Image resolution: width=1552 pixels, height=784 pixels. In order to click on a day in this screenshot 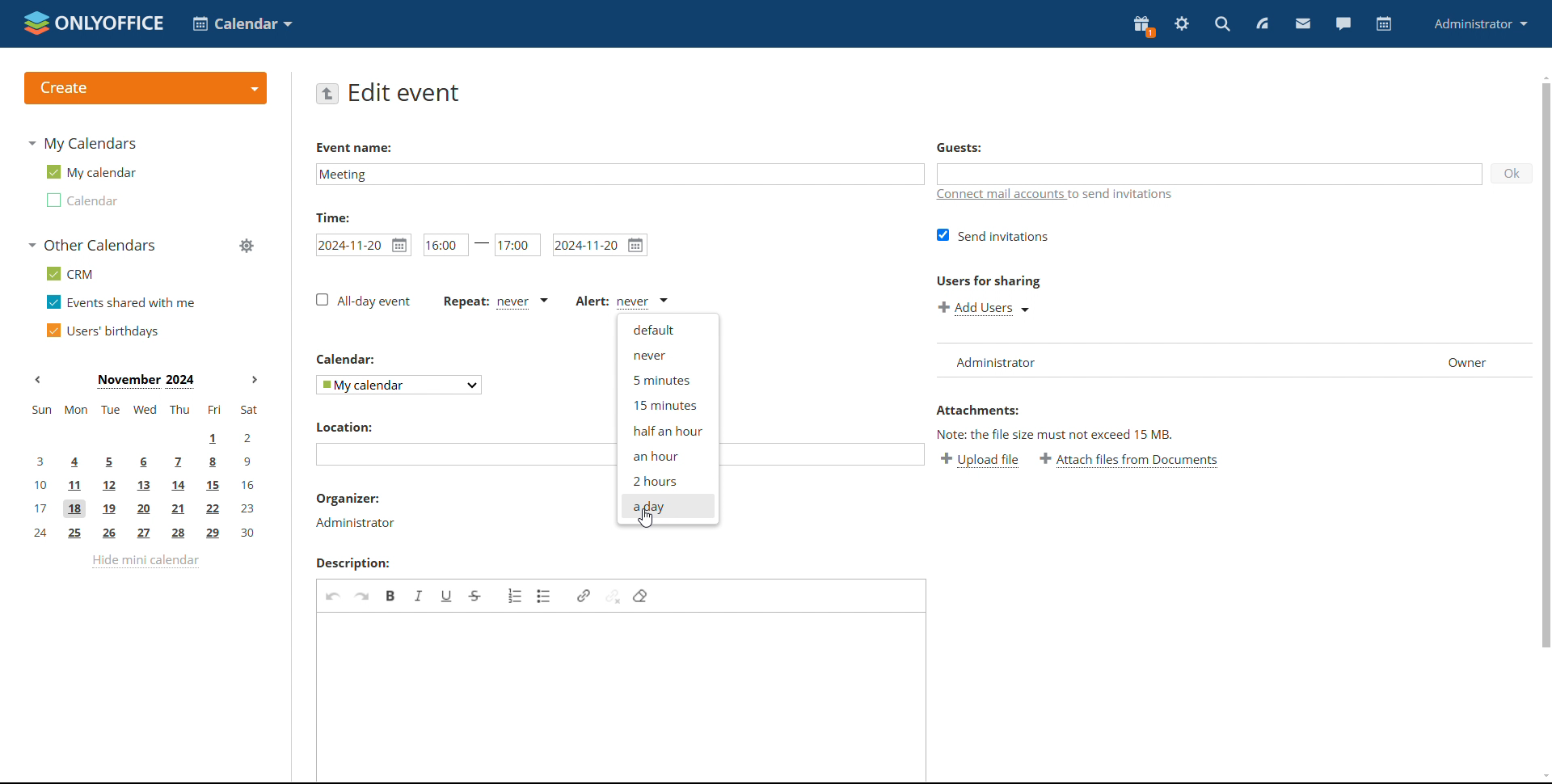, I will do `click(668, 506)`.